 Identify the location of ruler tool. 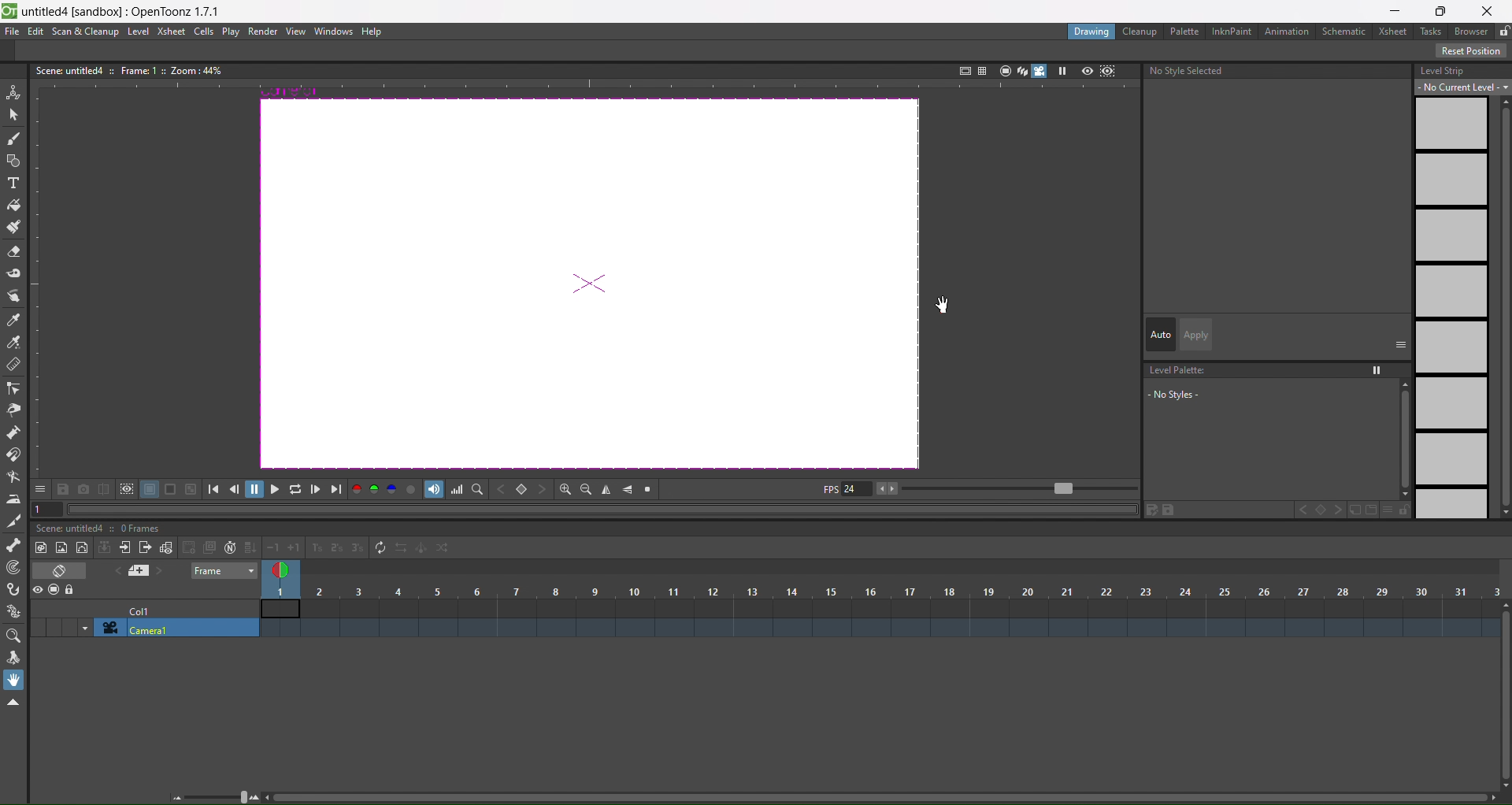
(12, 364).